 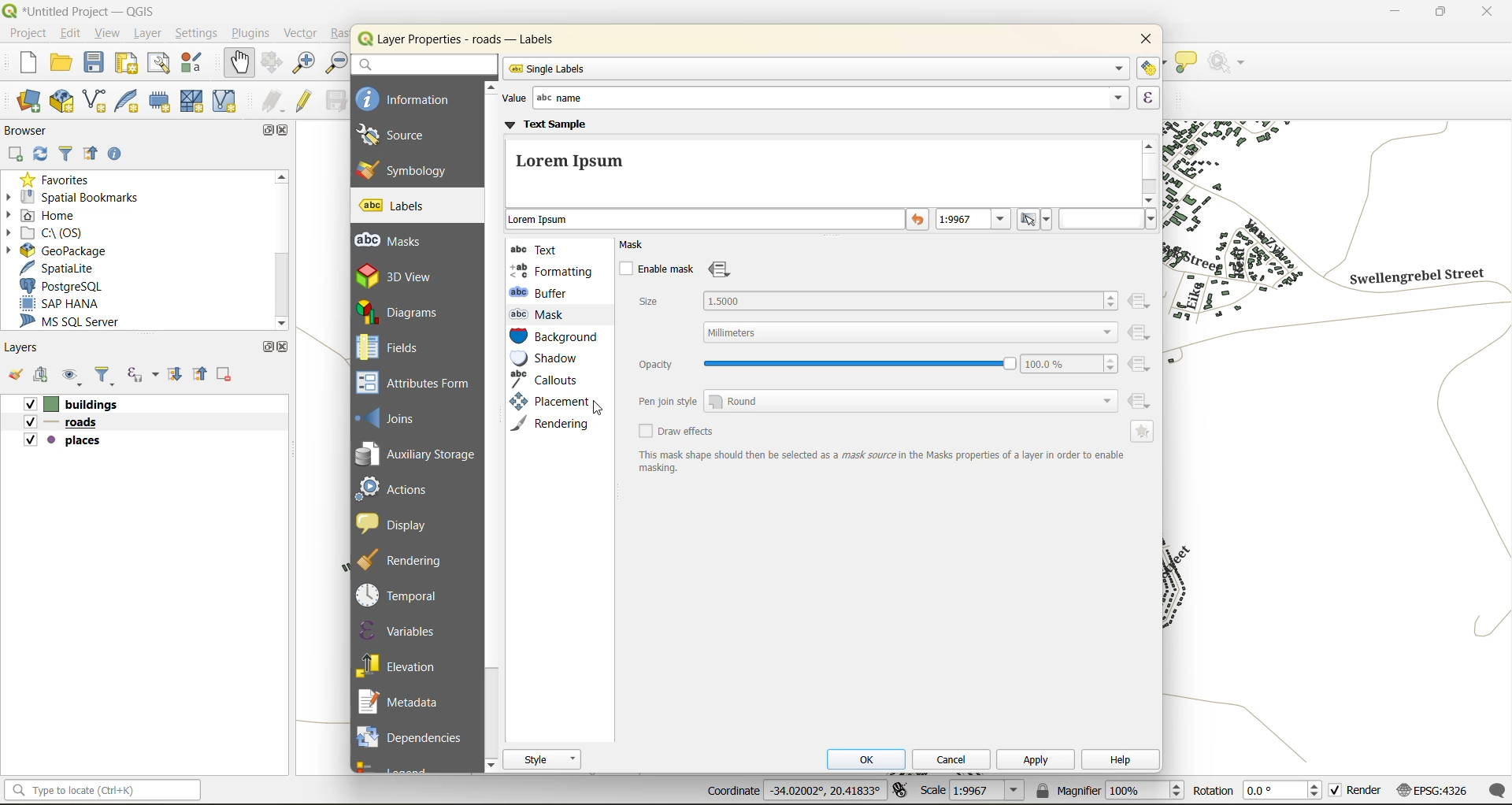 What do you see at coordinates (706, 221) in the screenshot?
I see `sample text` at bounding box center [706, 221].